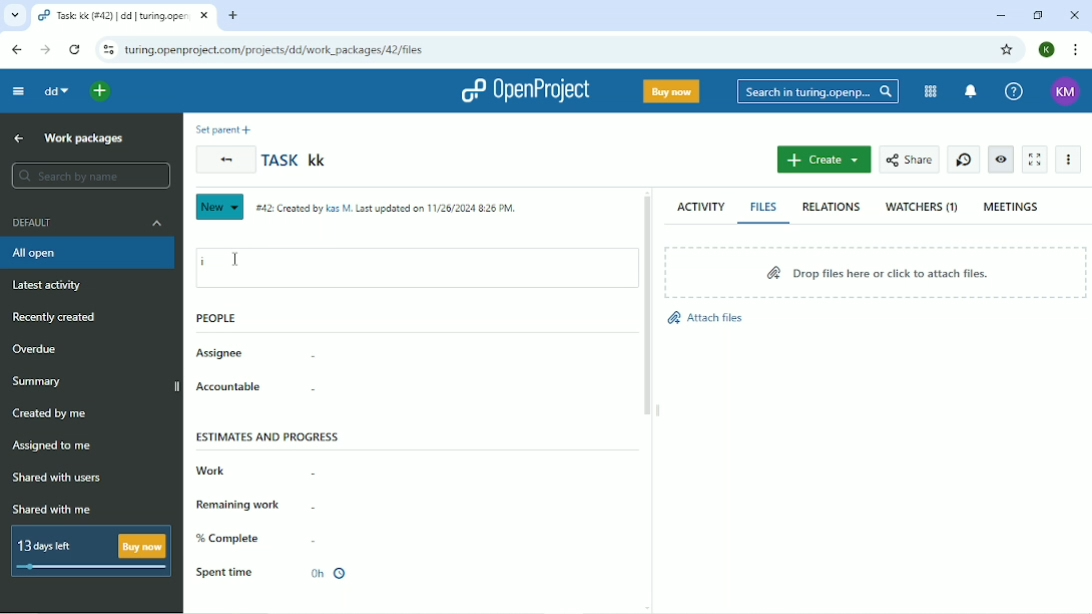  Describe the element at coordinates (40, 381) in the screenshot. I see `Summary` at that location.